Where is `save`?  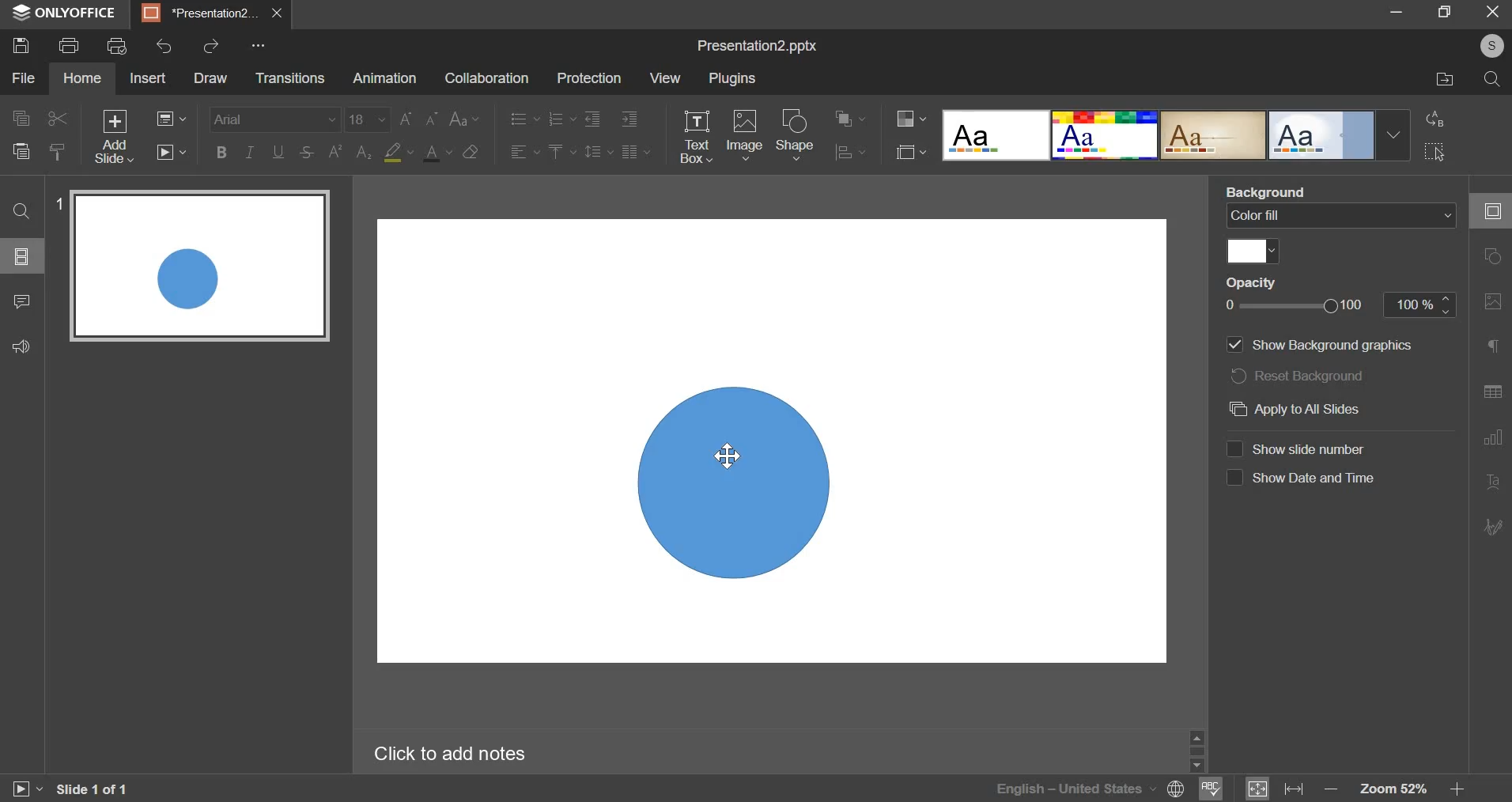 save is located at coordinates (21, 45).